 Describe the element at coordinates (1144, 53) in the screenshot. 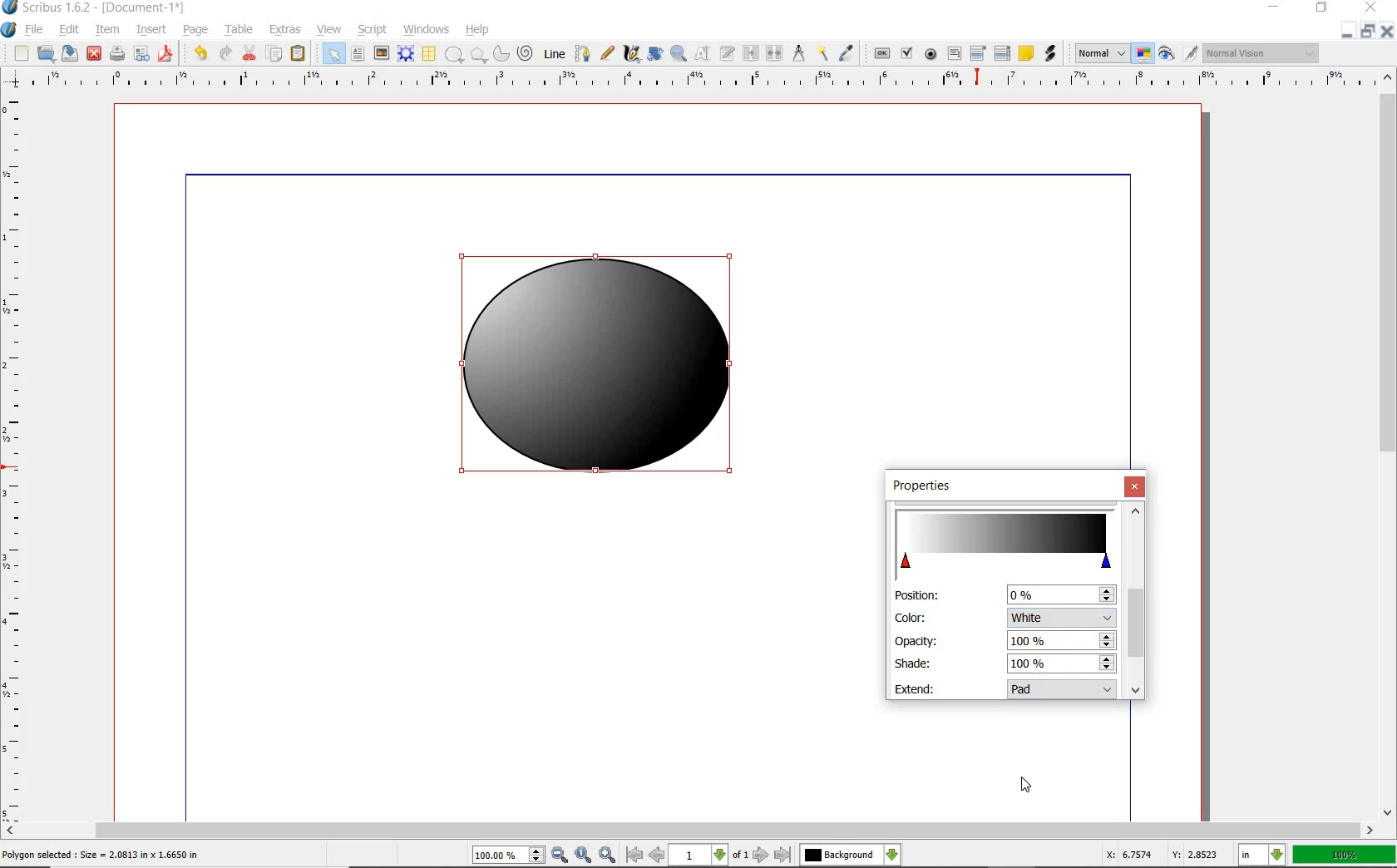

I see `TOGGLE COLOR MANAGEMENT SYSTEM` at that location.